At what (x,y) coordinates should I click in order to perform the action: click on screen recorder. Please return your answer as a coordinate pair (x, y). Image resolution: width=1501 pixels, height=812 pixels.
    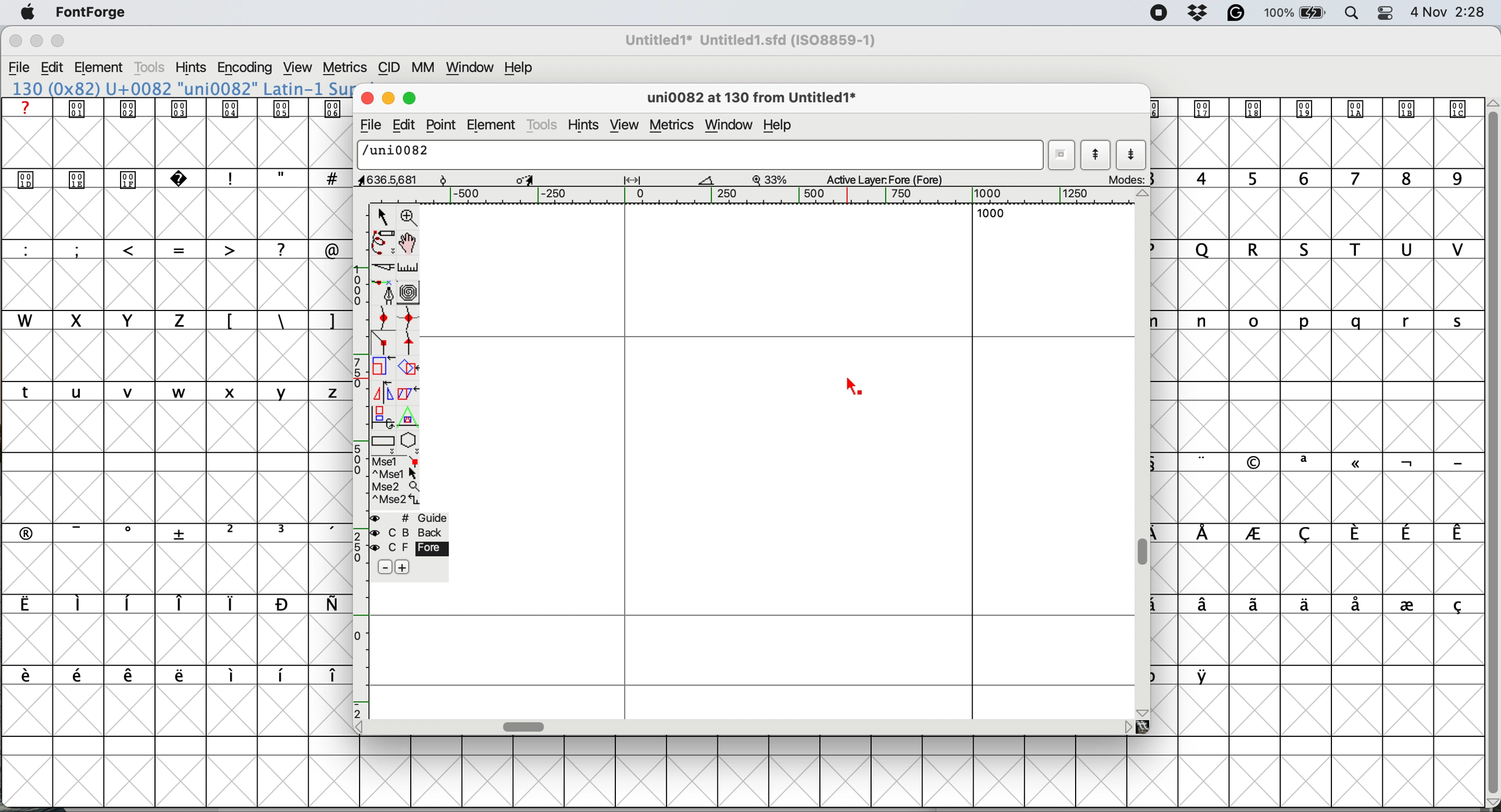
    Looking at the image, I should click on (1160, 13).